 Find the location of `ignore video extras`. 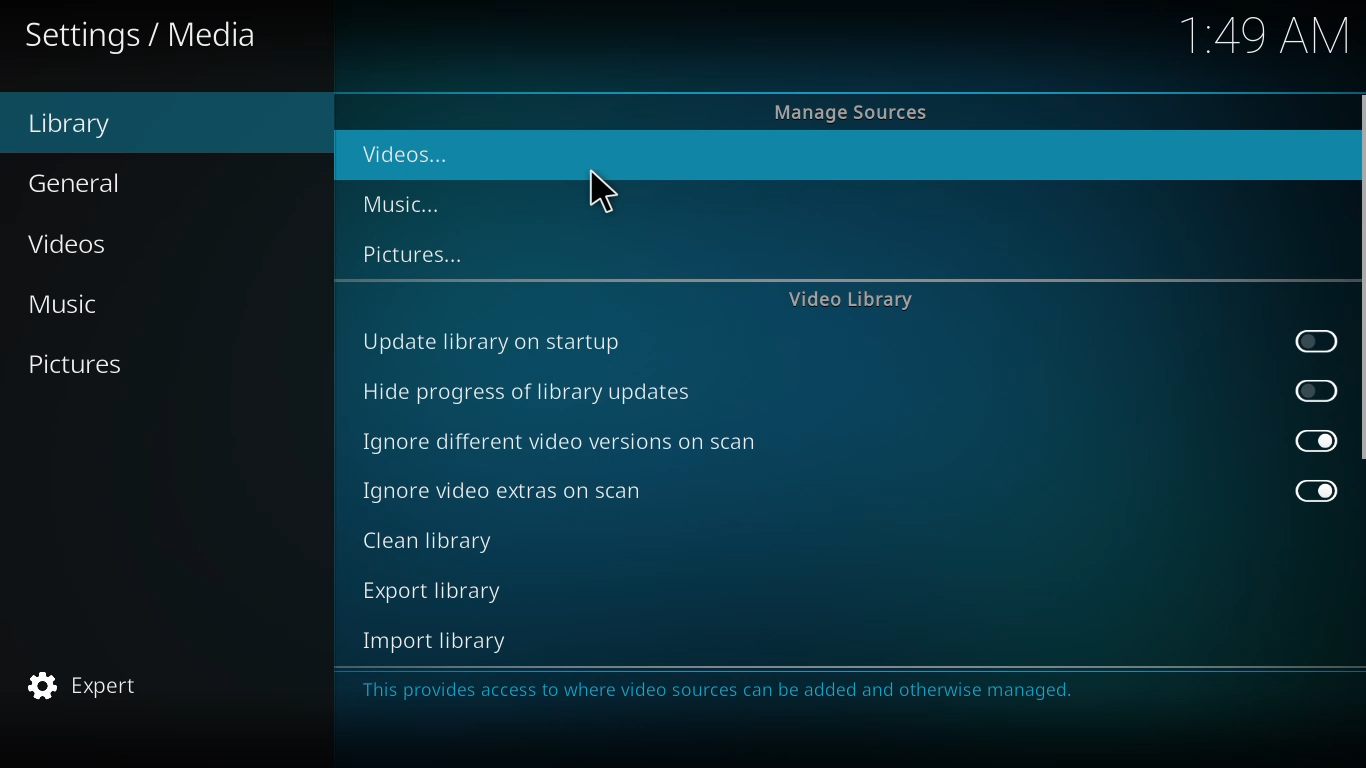

ignore video extras is located at coordinates (503, 489).